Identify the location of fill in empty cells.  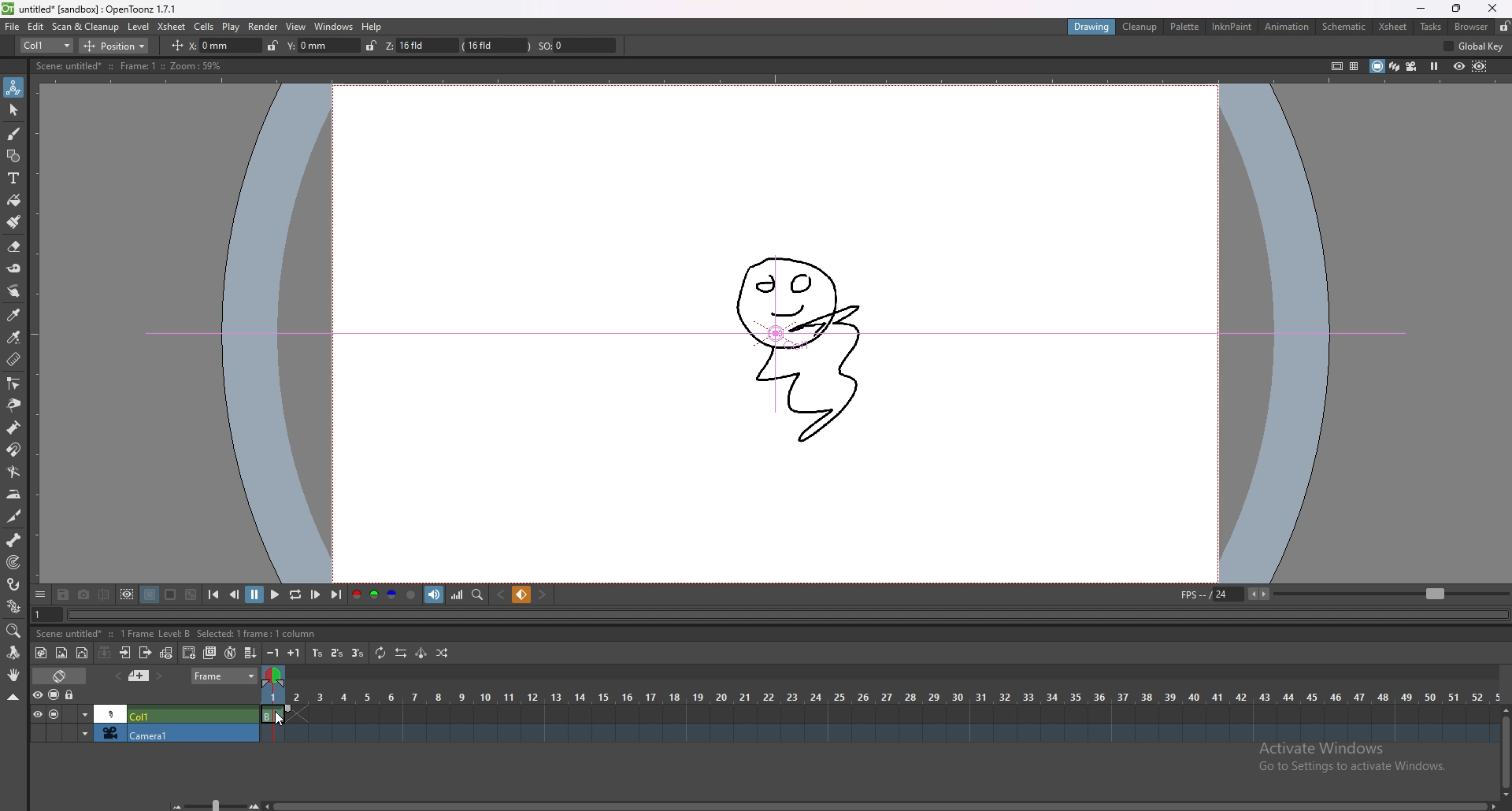
(253, 654).